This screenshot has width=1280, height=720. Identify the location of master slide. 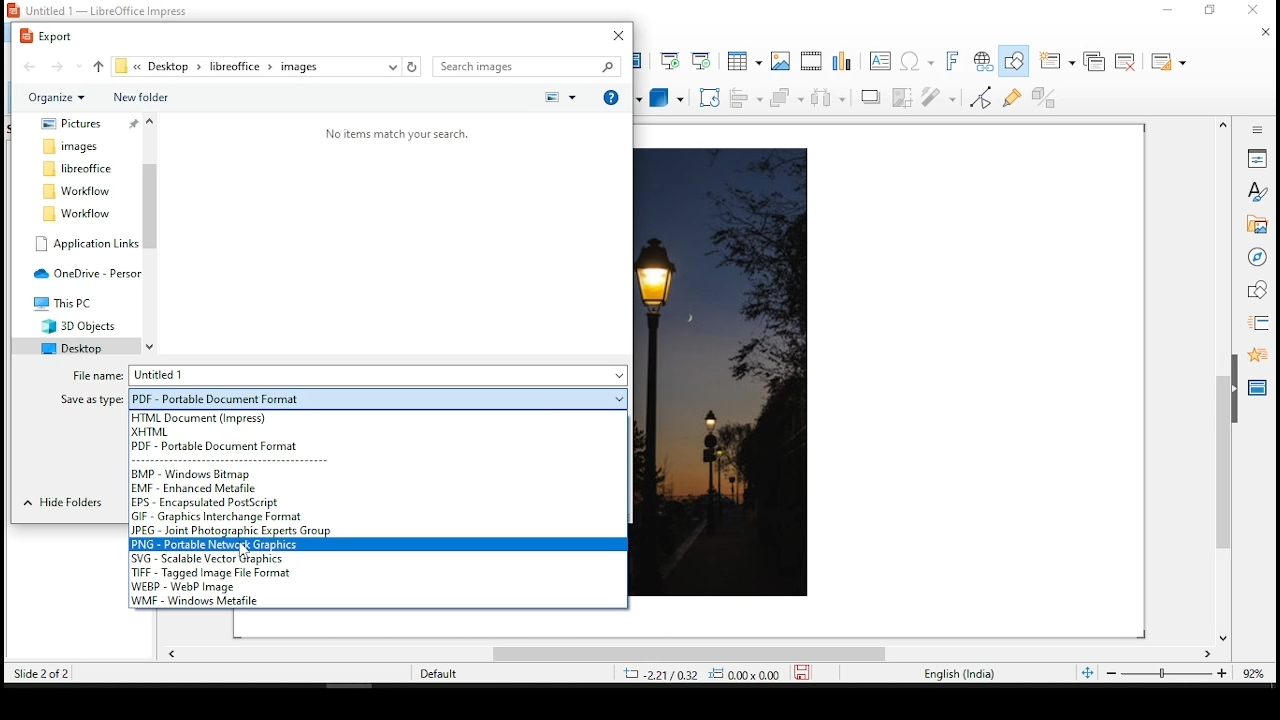
(641, 60).